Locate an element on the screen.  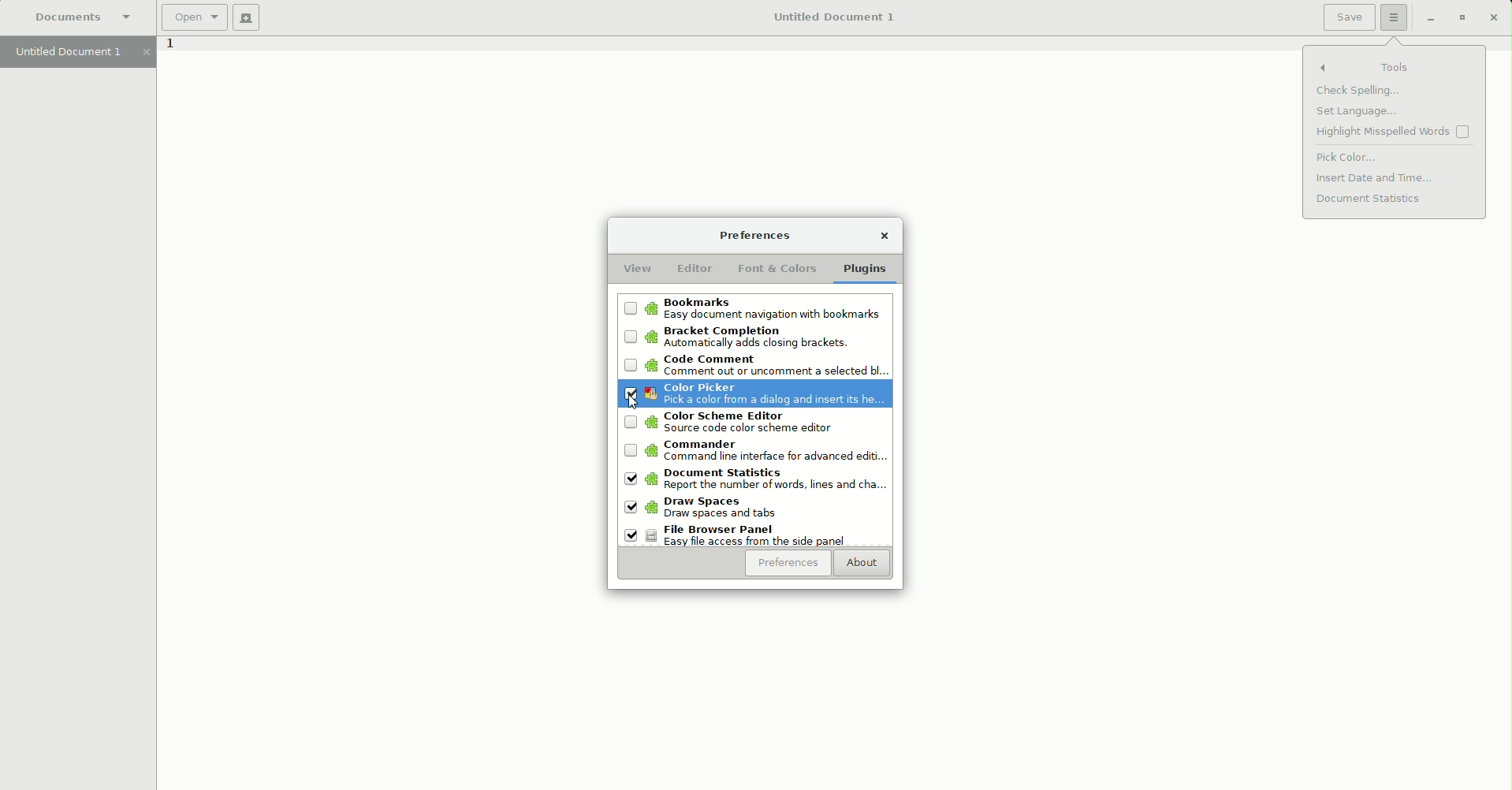
Close is located at coordinates (1492, 17).